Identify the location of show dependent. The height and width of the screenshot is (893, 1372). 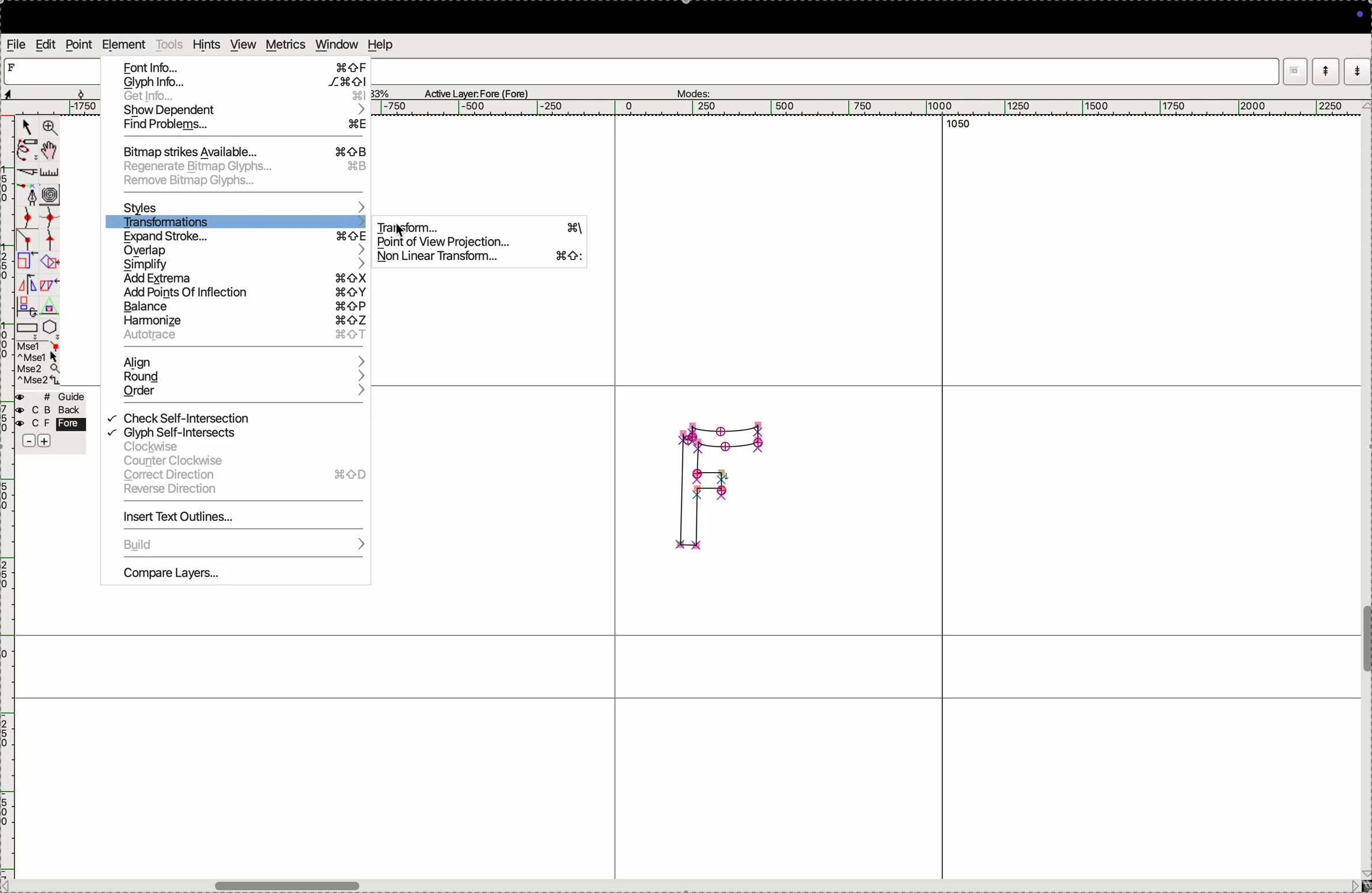
(243, 111).